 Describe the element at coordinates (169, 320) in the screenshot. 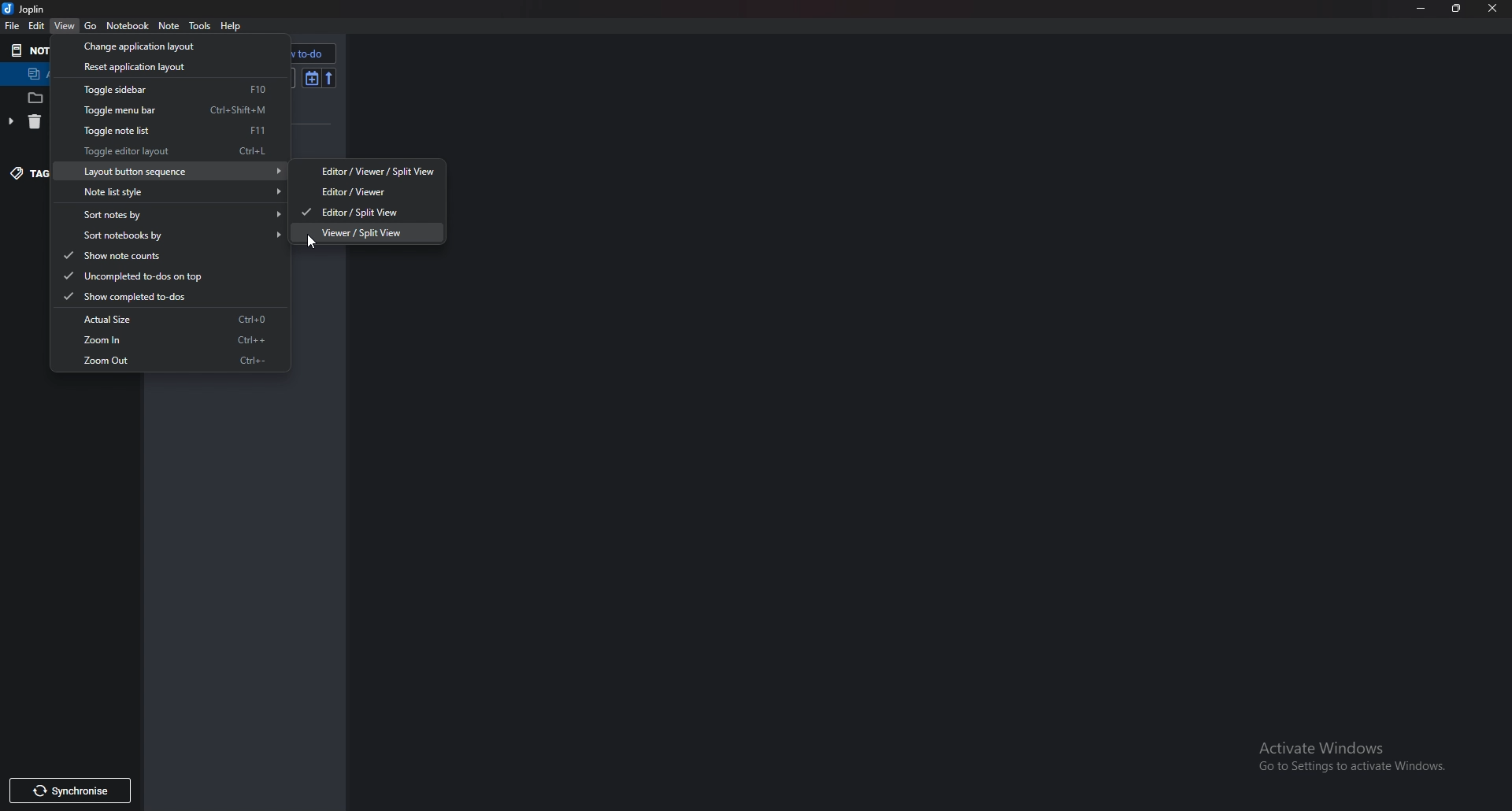

I see `Actual size` at that location.